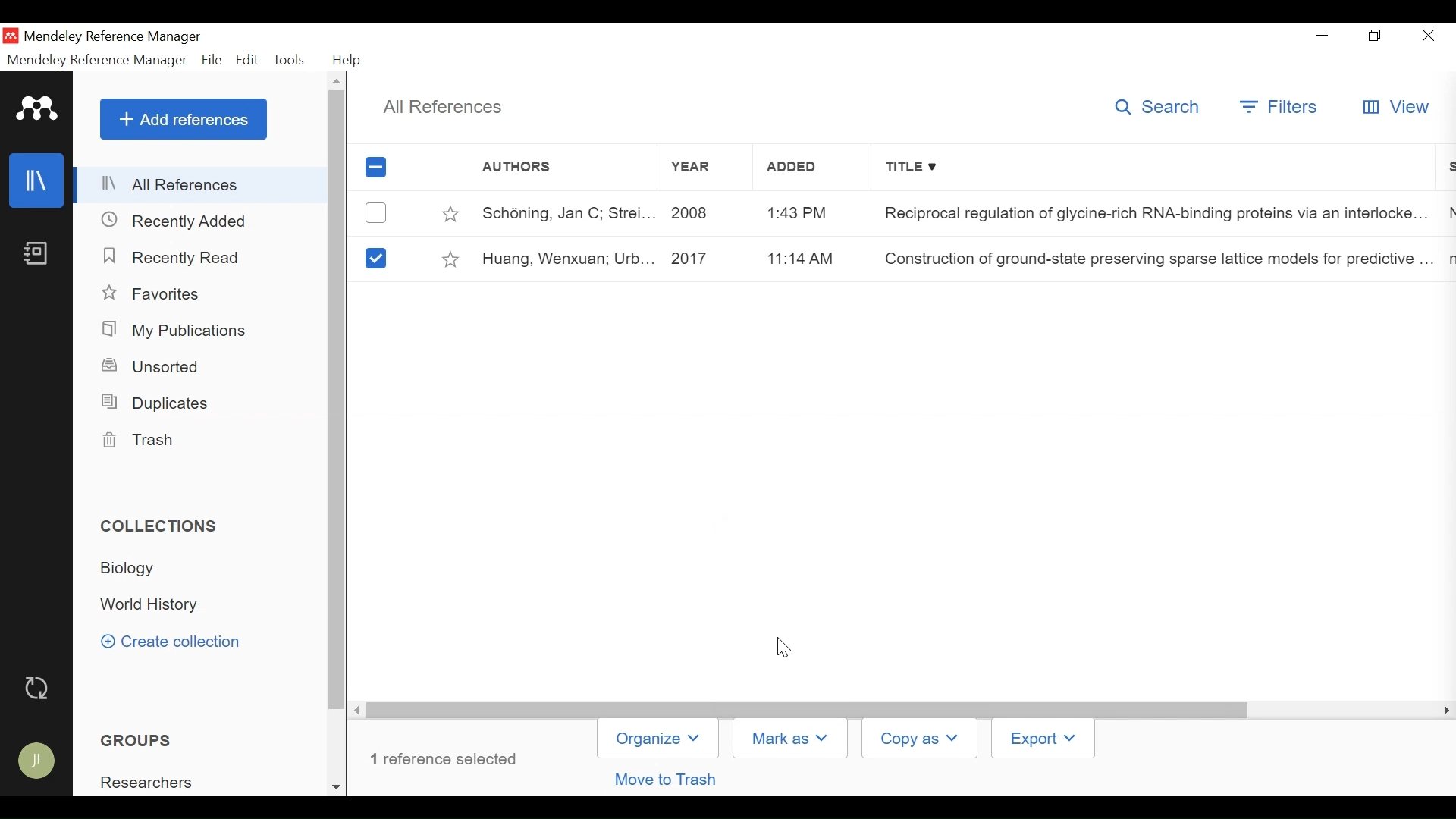 The width and height of the screenshot is (1456, 819). What do you see at coordinates (39, 690) in the screenshot?
I see `Sync` at bounding box center [39, 690].